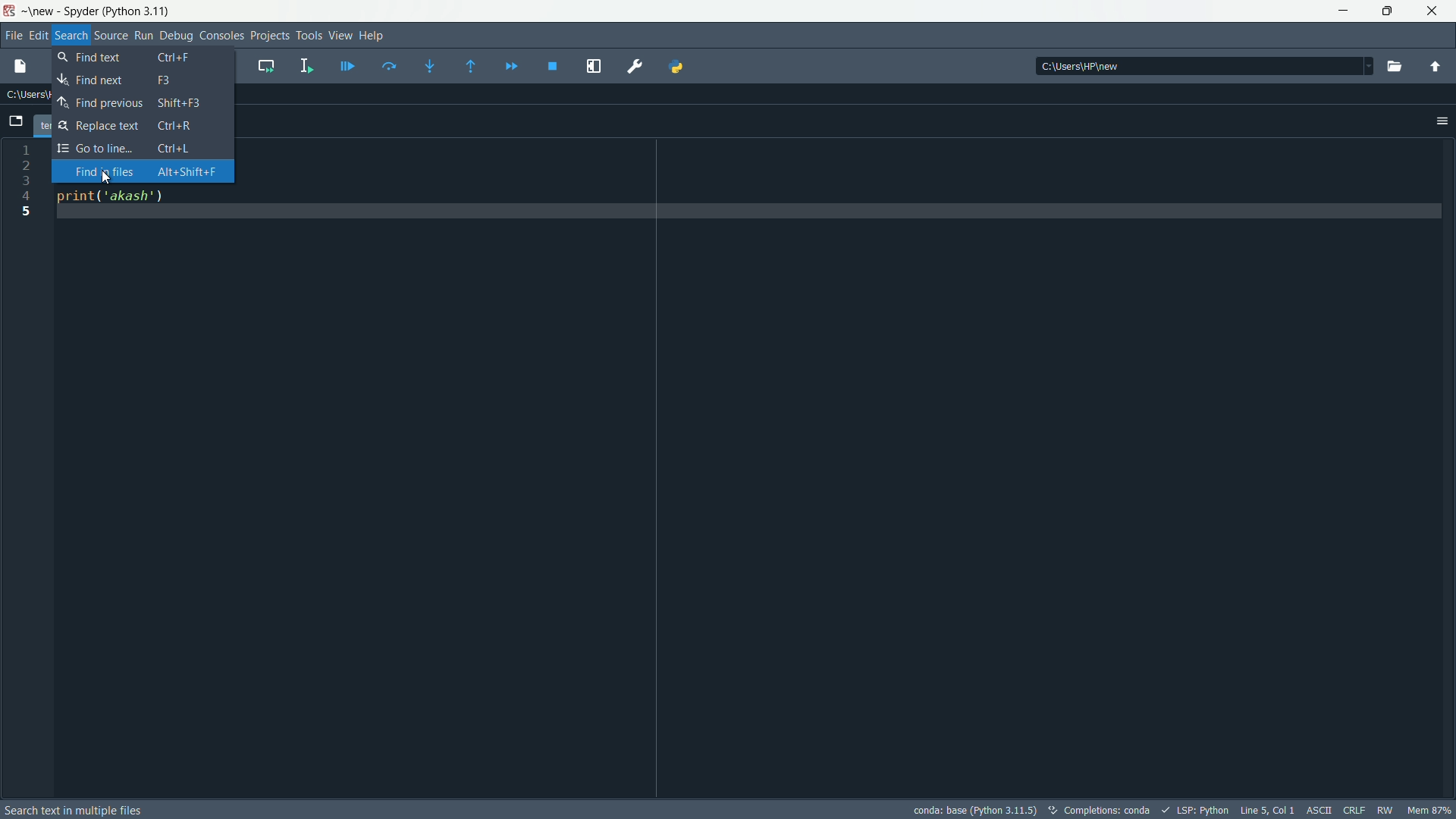 The width and height of the screenshot is (1456, 819). Describe the element at coordinates (39, 35) in the screenshot. I see `edit menu` at that location.